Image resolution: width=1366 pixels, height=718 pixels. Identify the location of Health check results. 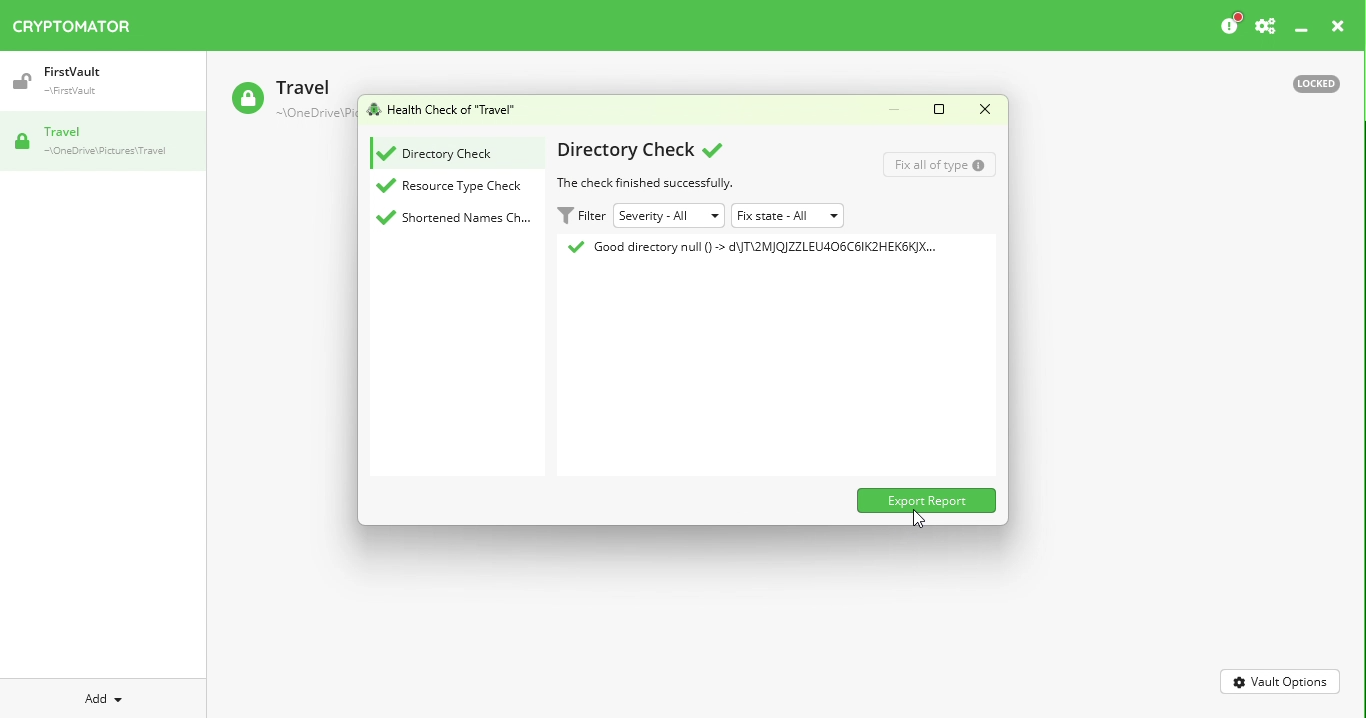
(746, 247).